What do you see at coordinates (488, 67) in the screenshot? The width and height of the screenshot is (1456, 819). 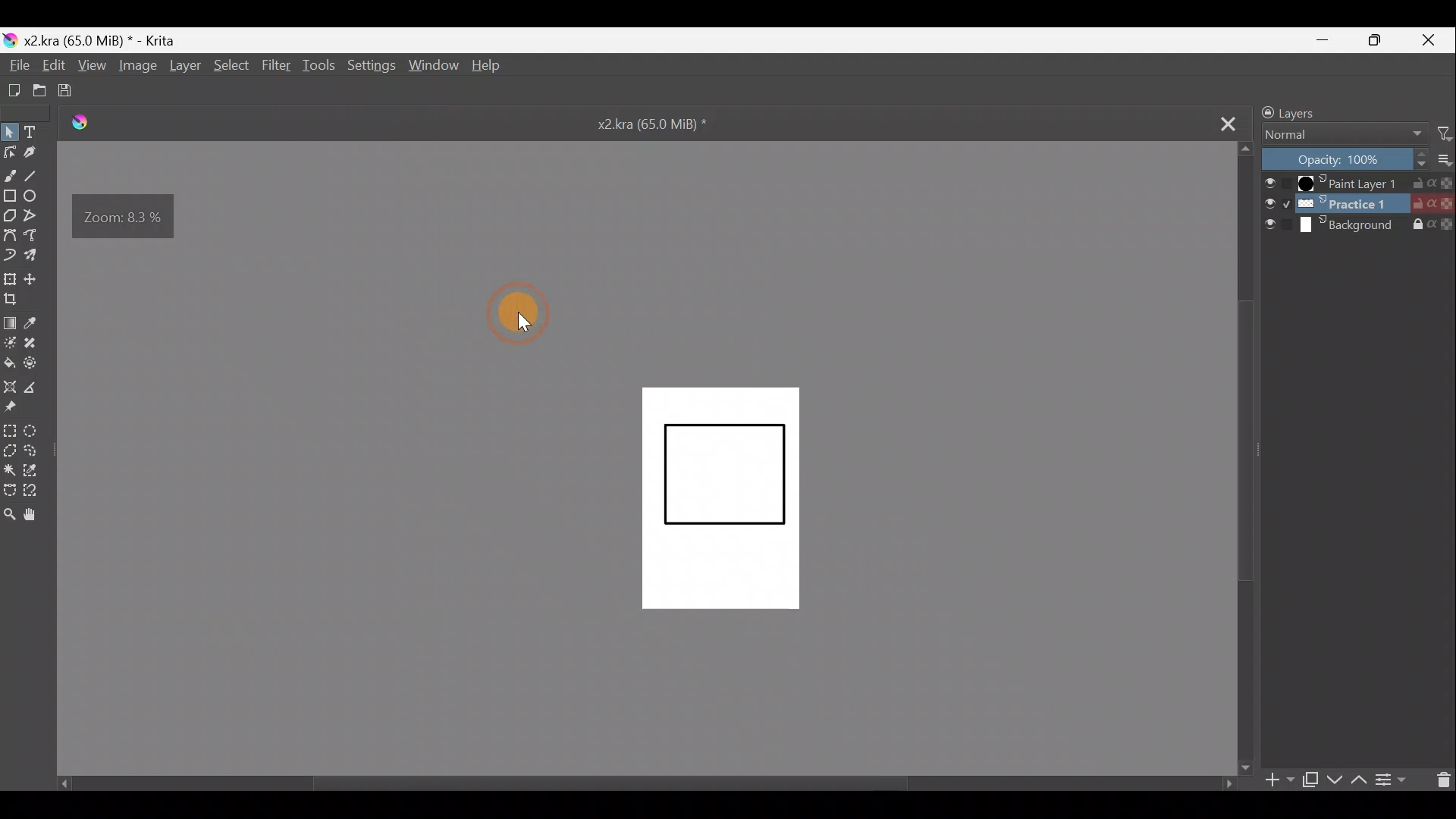 I see `Help` at bounding box center [488, 67].